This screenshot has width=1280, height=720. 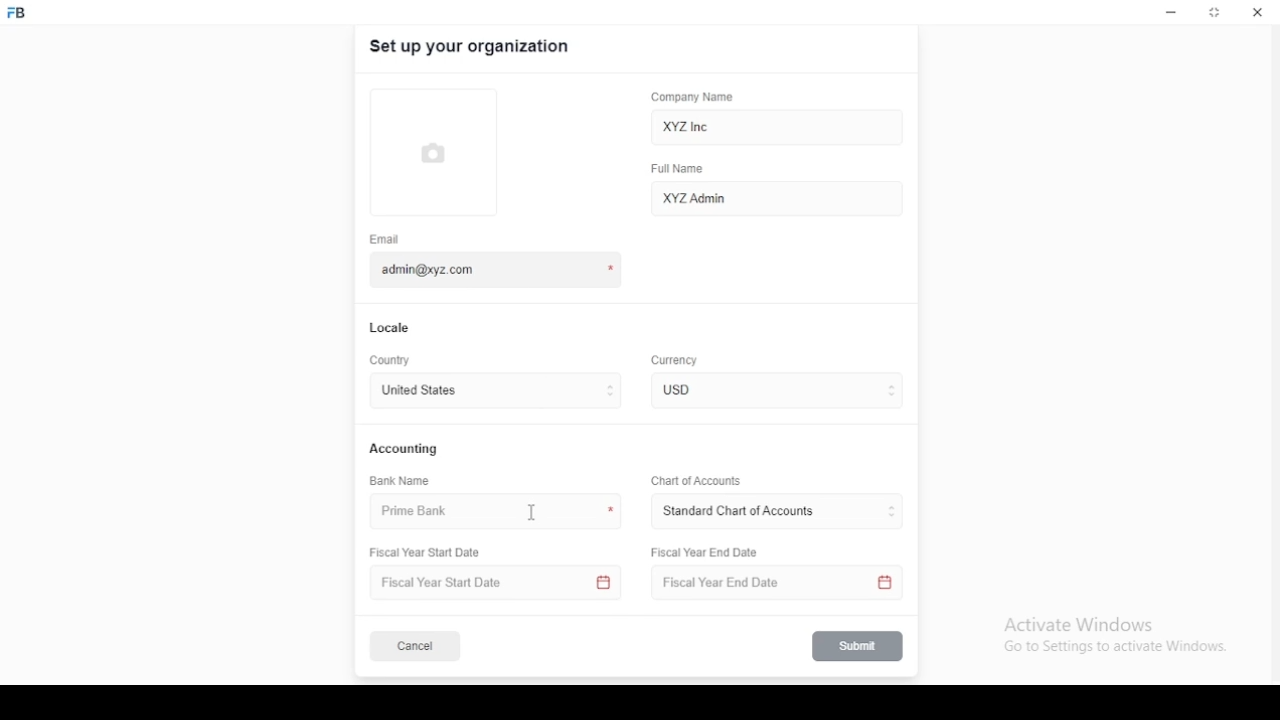 I want to click on XYZ Inc, so click(x=779, y=128).